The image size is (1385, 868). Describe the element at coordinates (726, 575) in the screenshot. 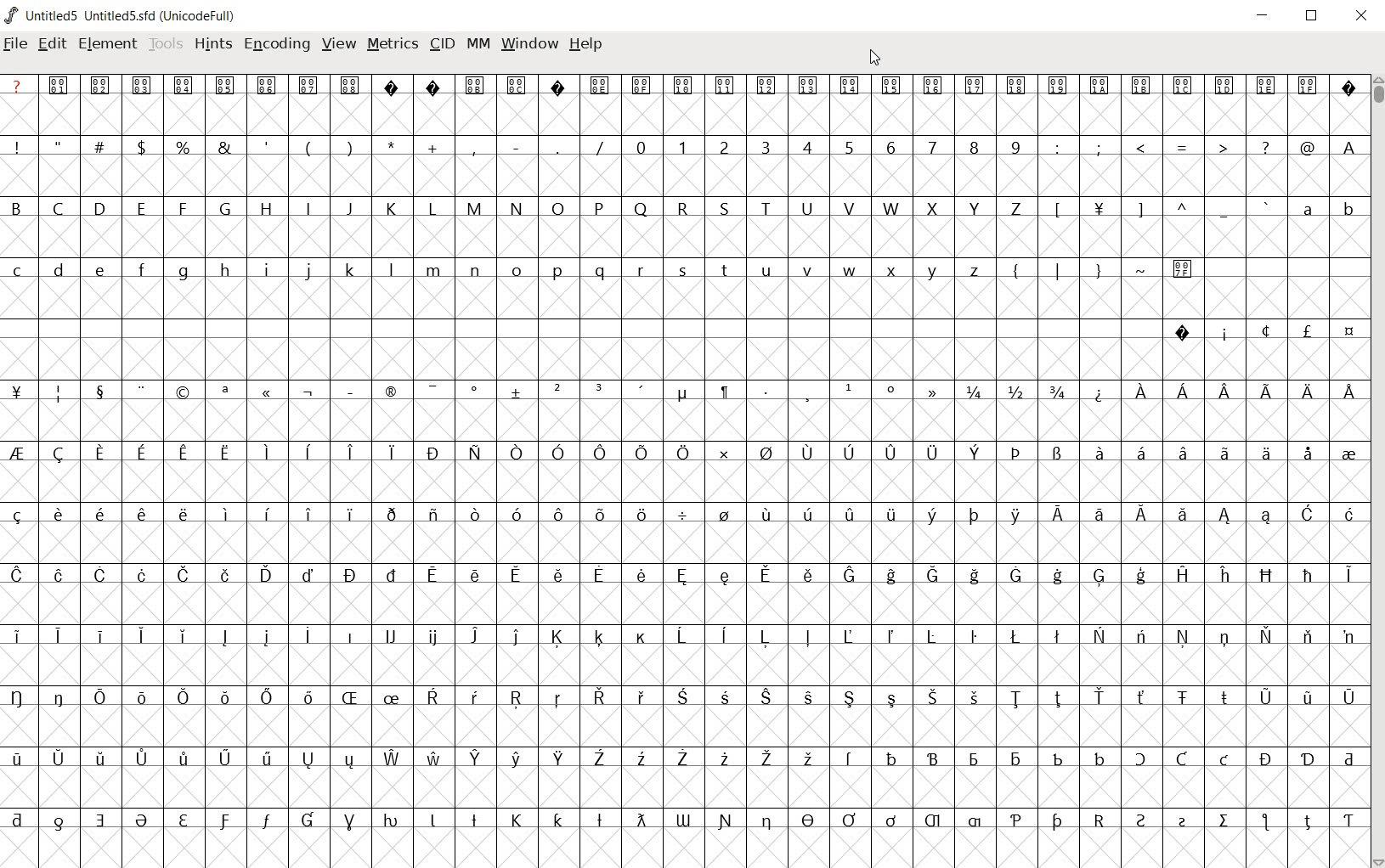

I see `Symbol` at that location.